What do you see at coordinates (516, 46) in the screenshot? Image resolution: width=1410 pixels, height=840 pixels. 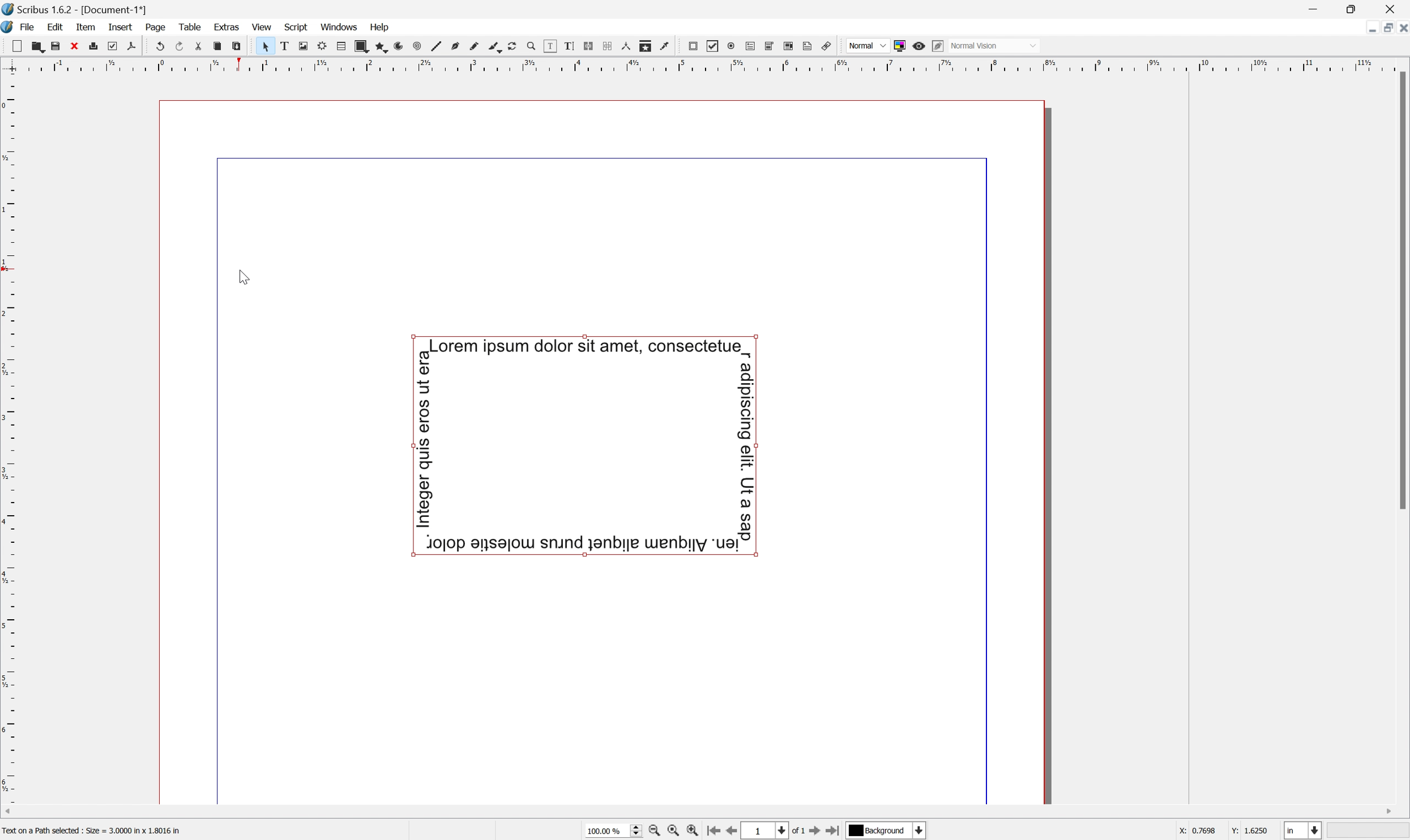 I see `Rotate item` at bounding box center [516, 46].